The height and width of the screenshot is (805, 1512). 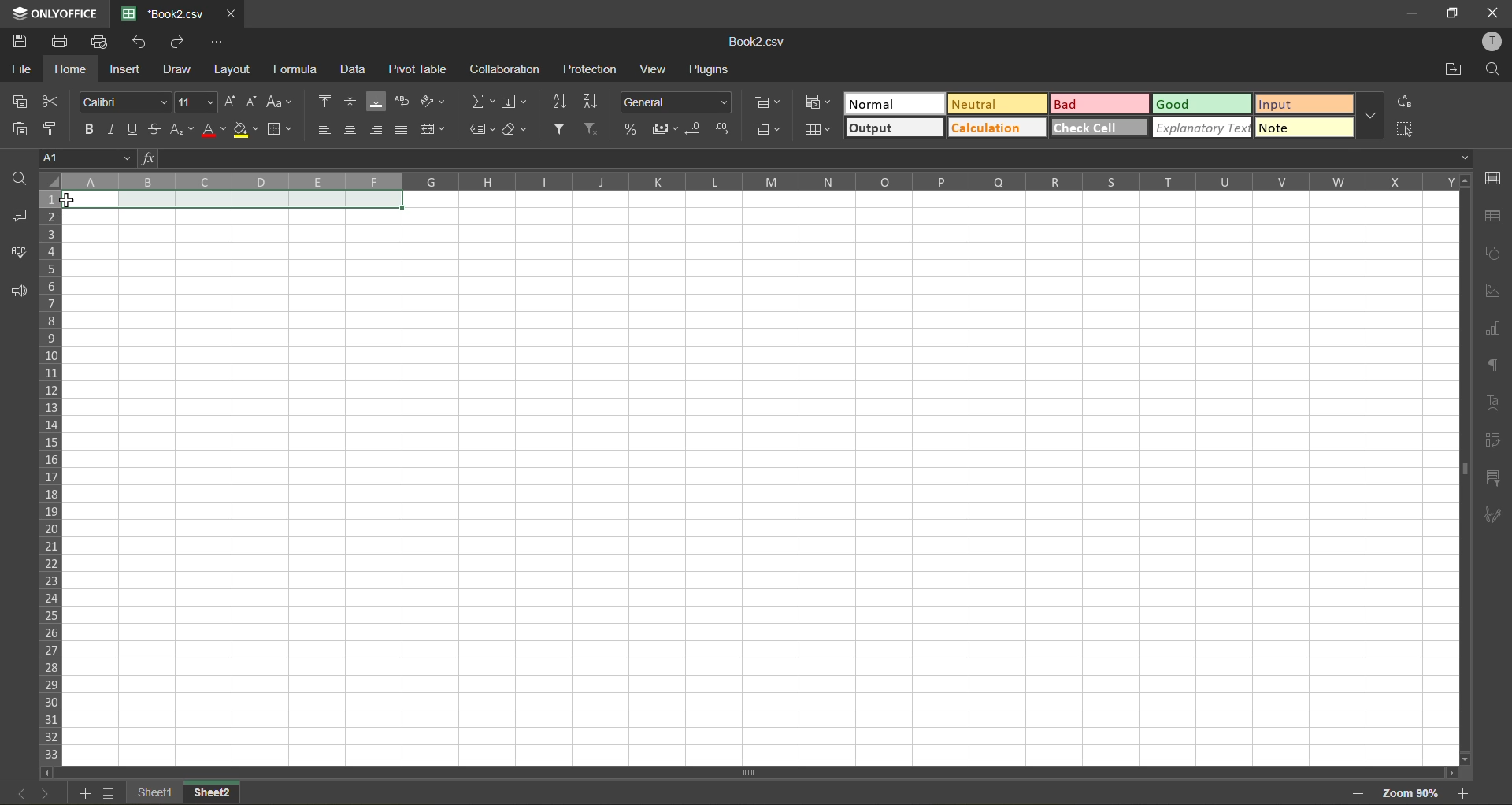 I want to click on filename, so click(x=161, y=13).